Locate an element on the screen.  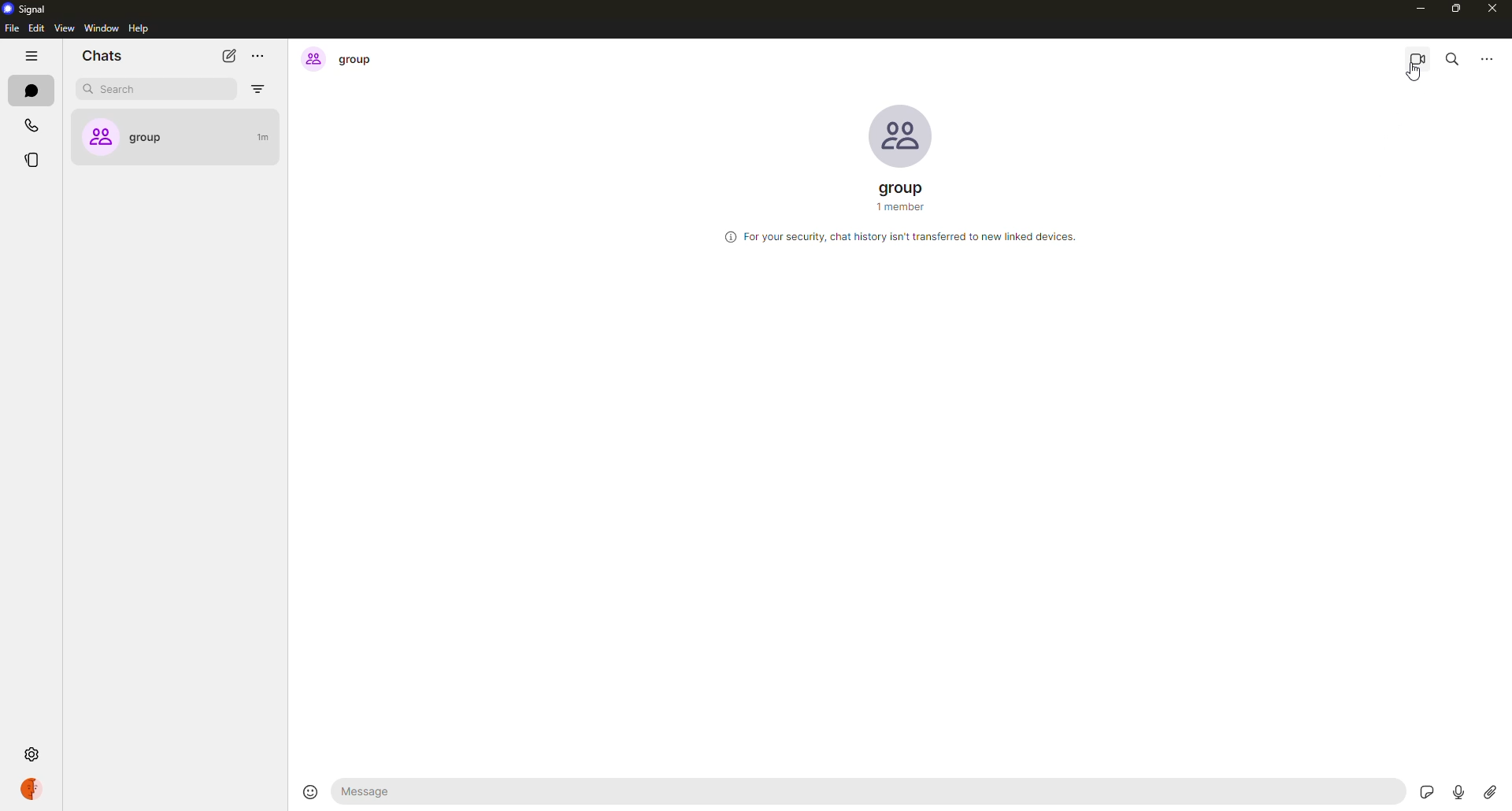
signal is located at coordinates (27, 8).